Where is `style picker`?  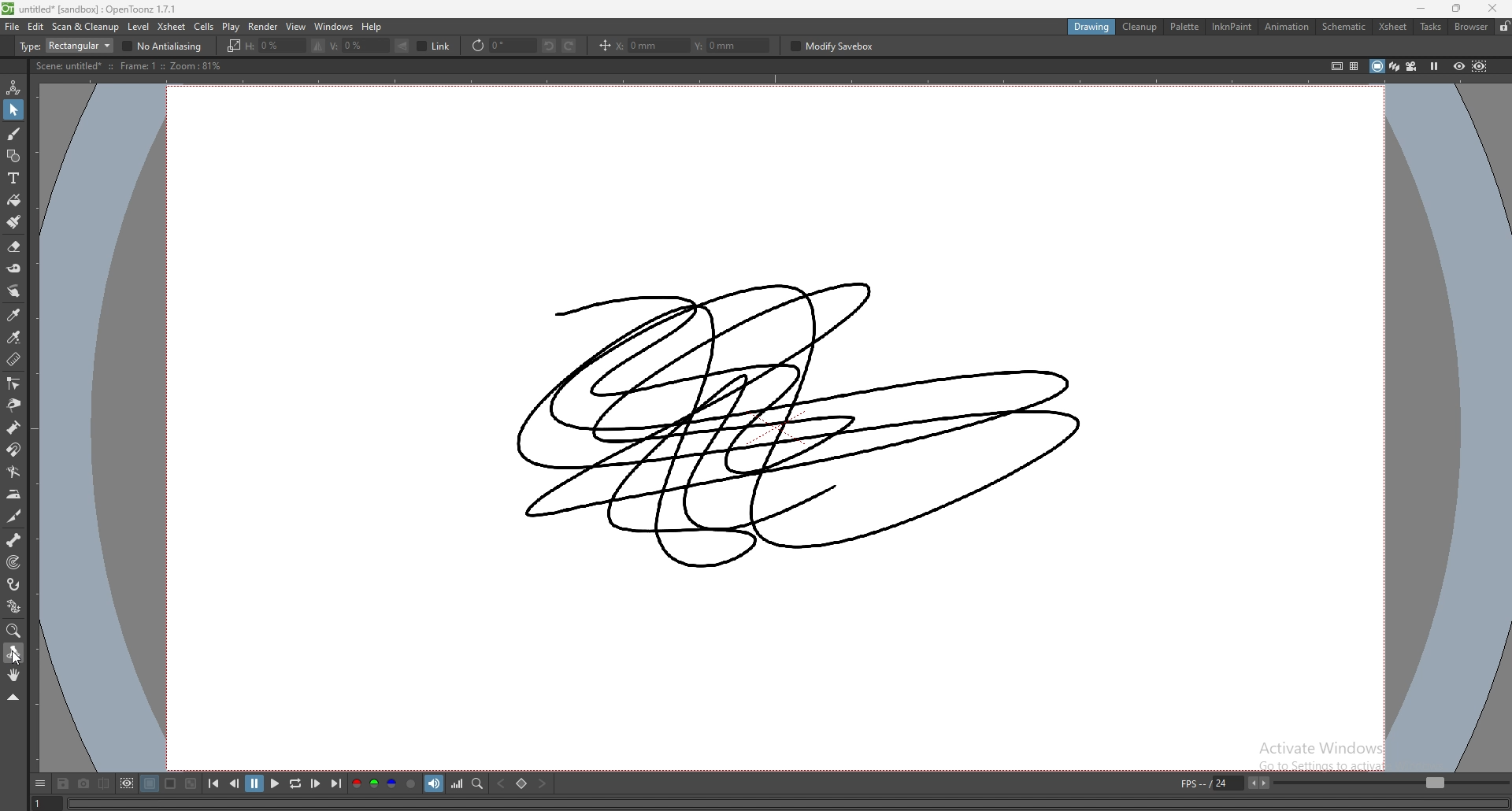 style picker is located at coordinates (15, 315).